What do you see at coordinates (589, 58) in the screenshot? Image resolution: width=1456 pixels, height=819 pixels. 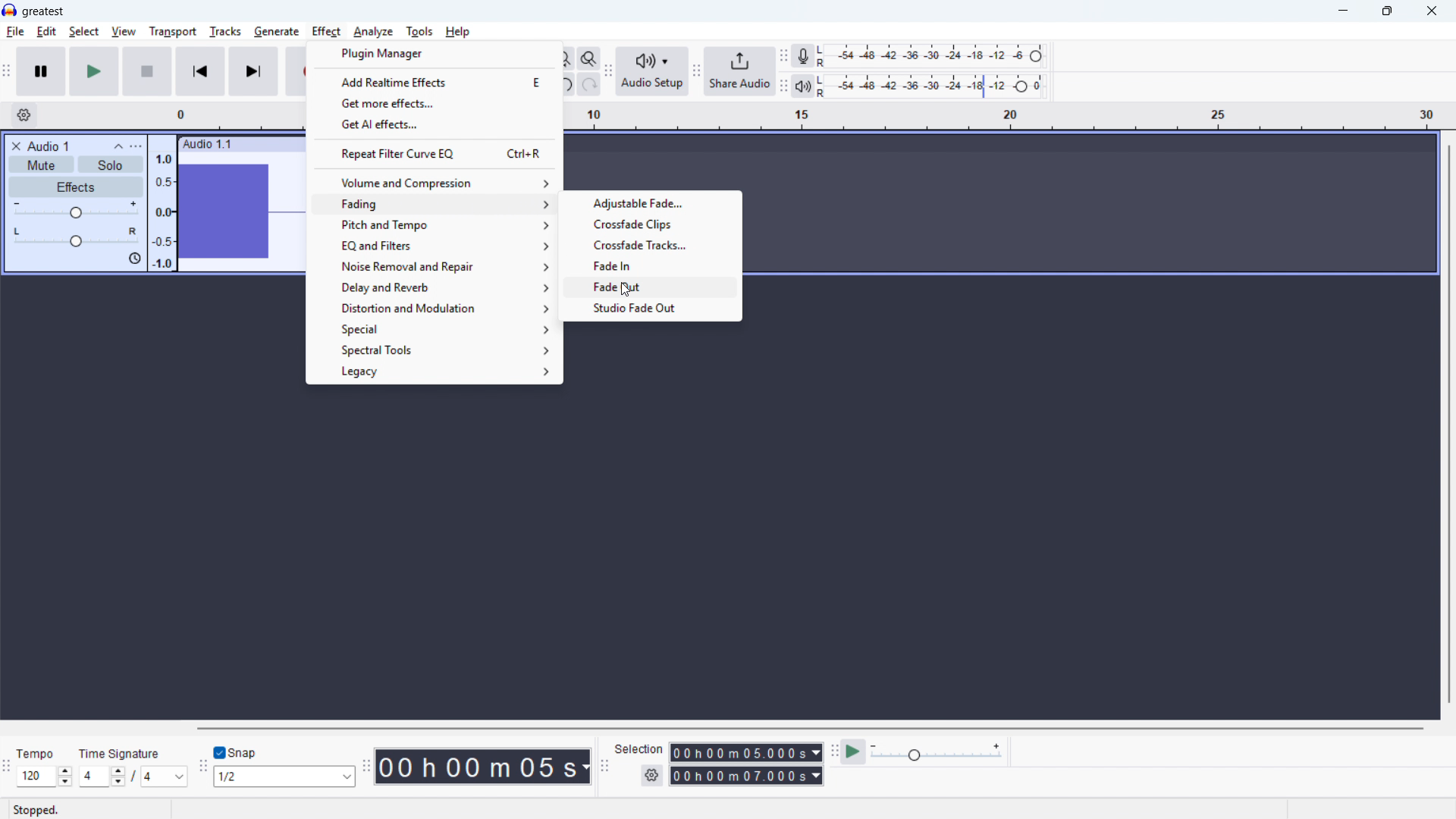 I see `Toggle zoom ` at bounding box center [589, 58].